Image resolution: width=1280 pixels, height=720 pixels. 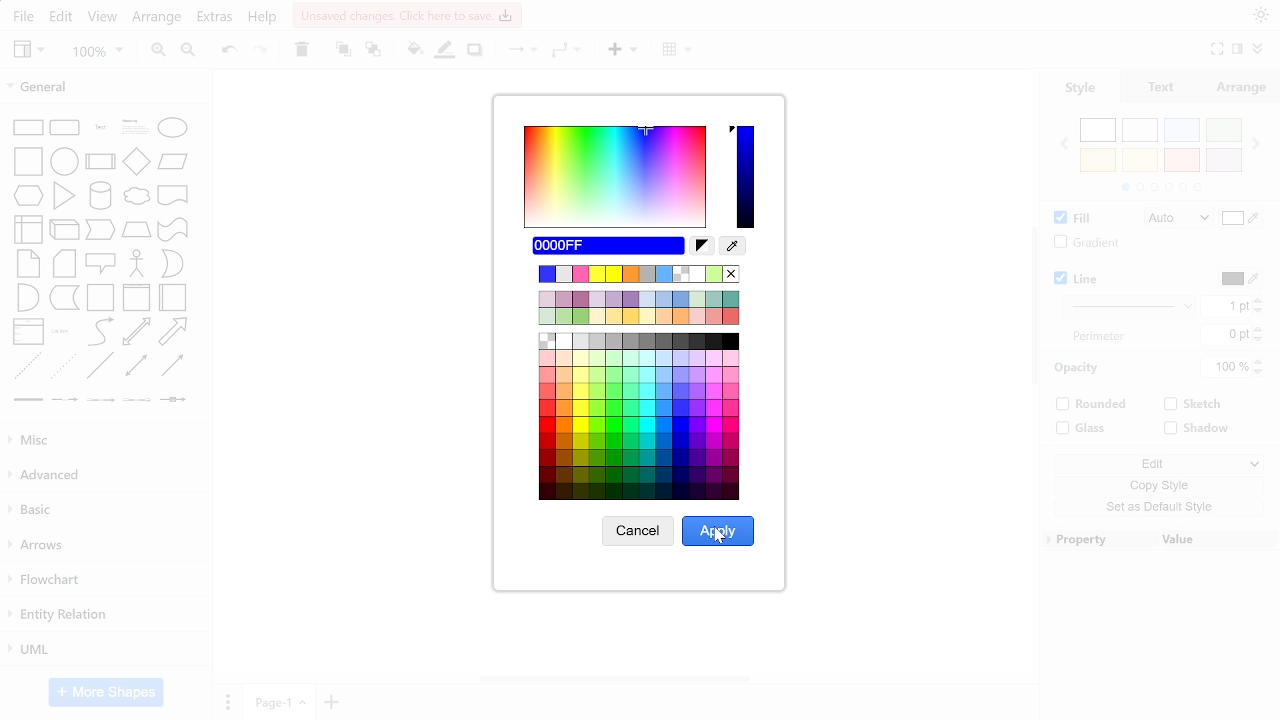 What do you see at coordinates (1131, 305) in the screenshot?
I see `line style` at bounding box center [1131, 305].